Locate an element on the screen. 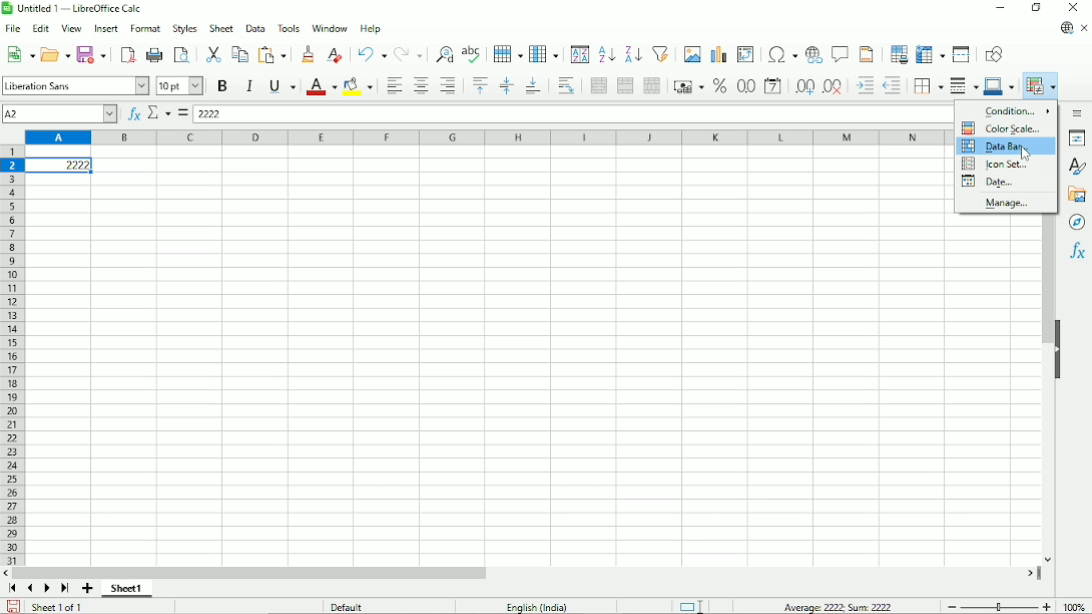 Image resolution: width=1092 pixels, height=614 pixels. Row headings  is located at coordinates (12, 357).